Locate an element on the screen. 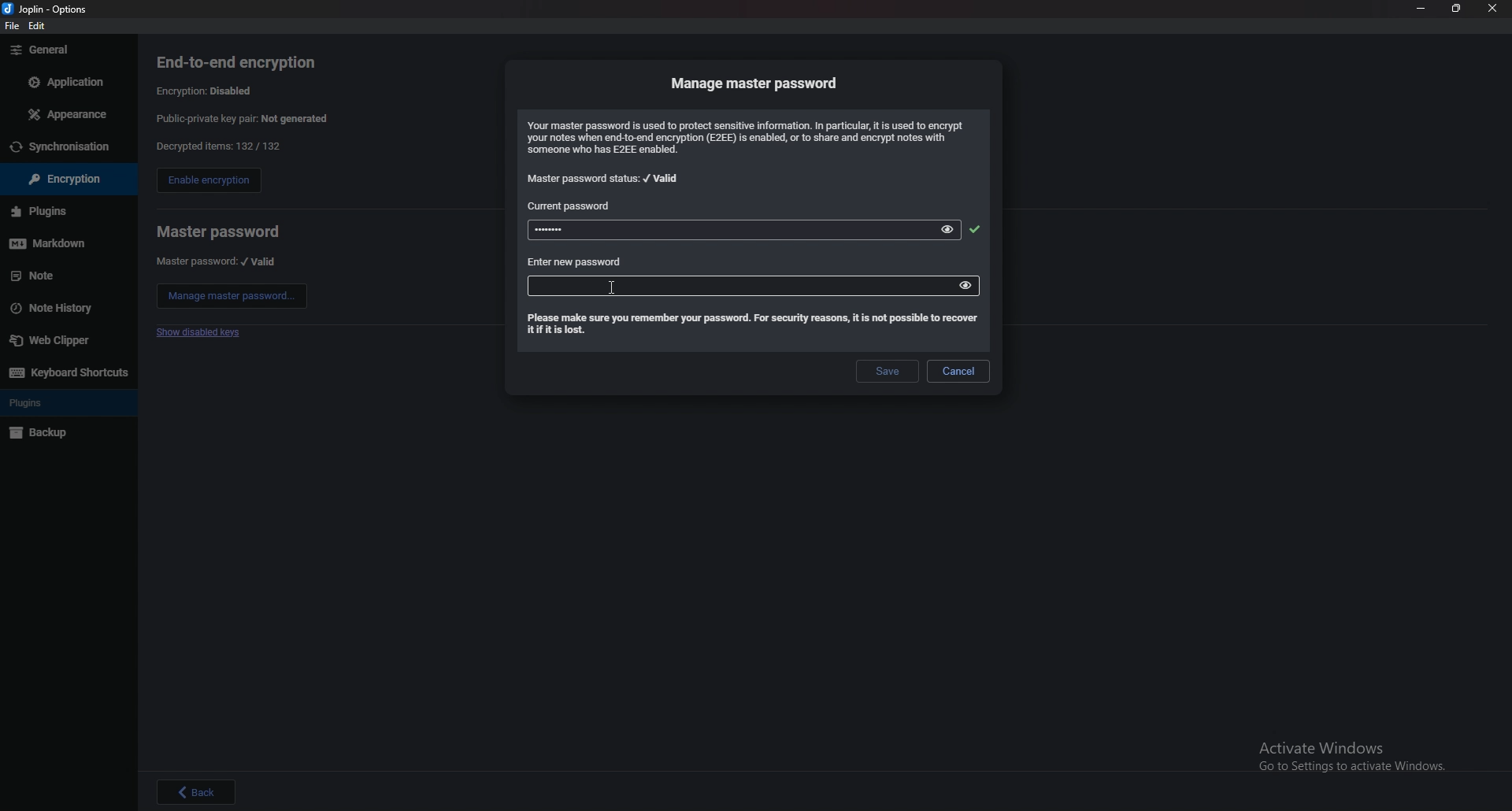 This screenshot has height=811, width=1512. note history is located at coordinates (64, 307).